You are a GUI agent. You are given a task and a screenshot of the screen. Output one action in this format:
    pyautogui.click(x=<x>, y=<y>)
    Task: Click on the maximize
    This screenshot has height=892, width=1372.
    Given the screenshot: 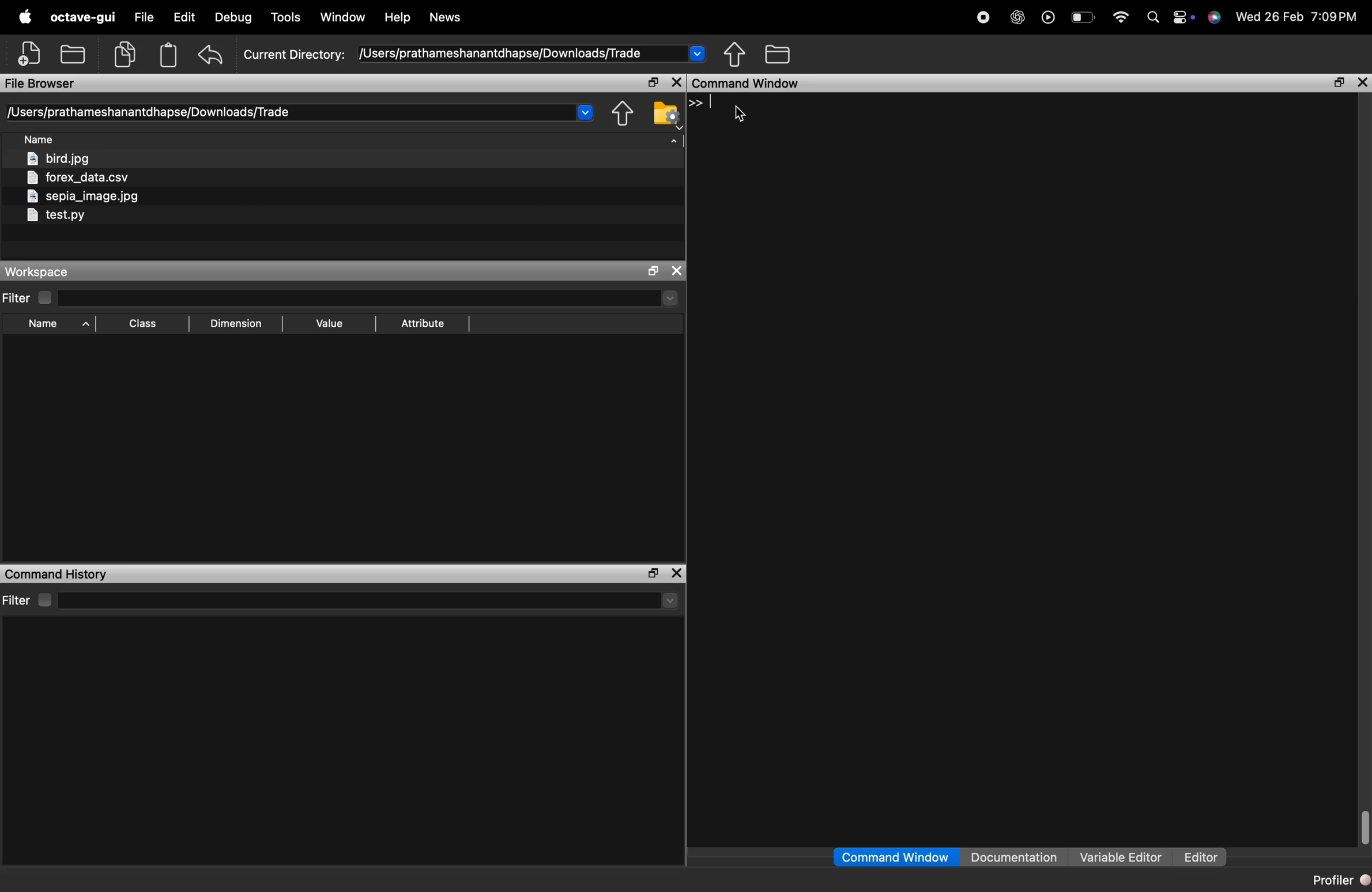 What is the action you would take?
    pyautogui.click(x=653, y=271)
    